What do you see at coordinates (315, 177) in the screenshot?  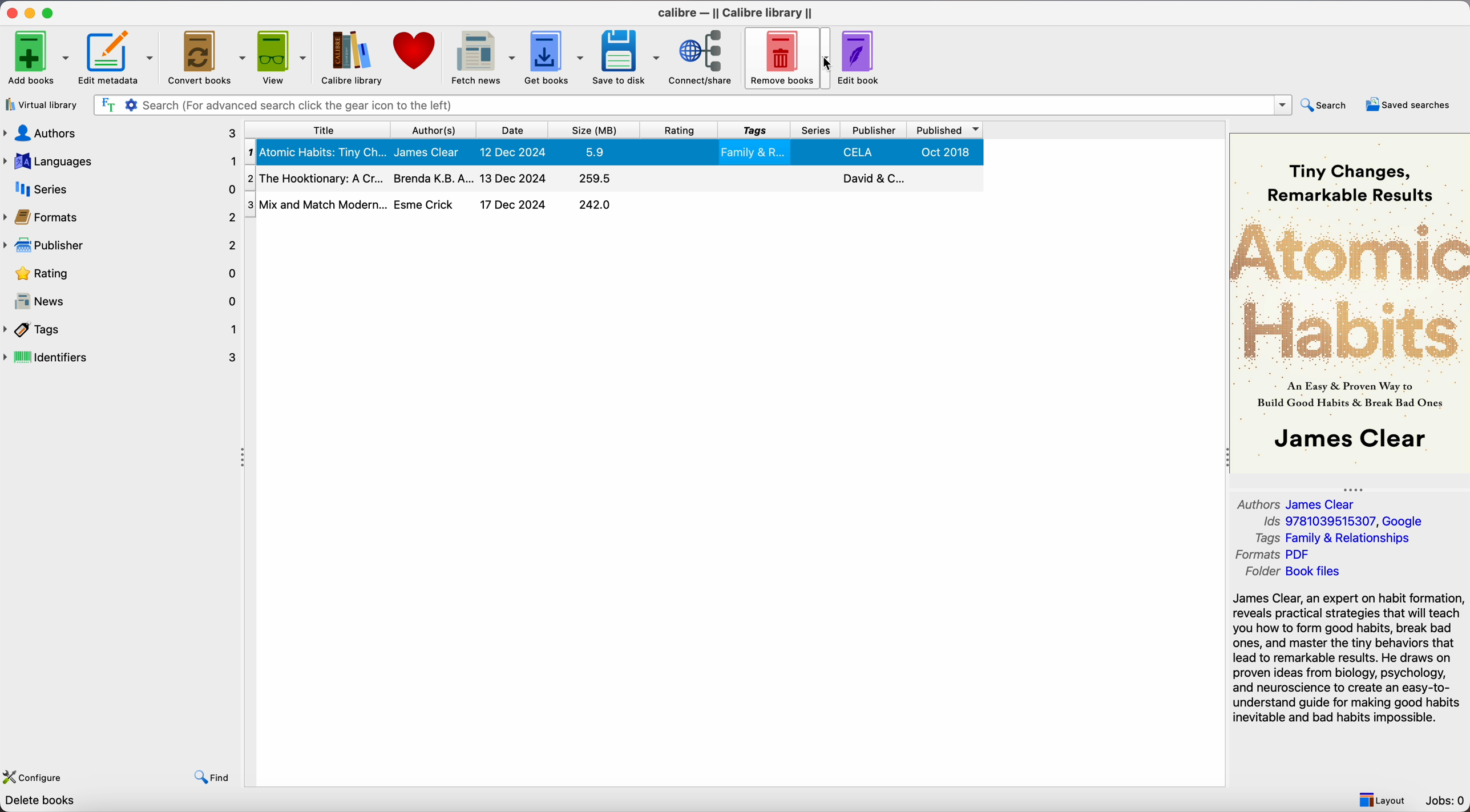 I see `The Hooktionary: A Cr...` at bounding box center [315, 177].